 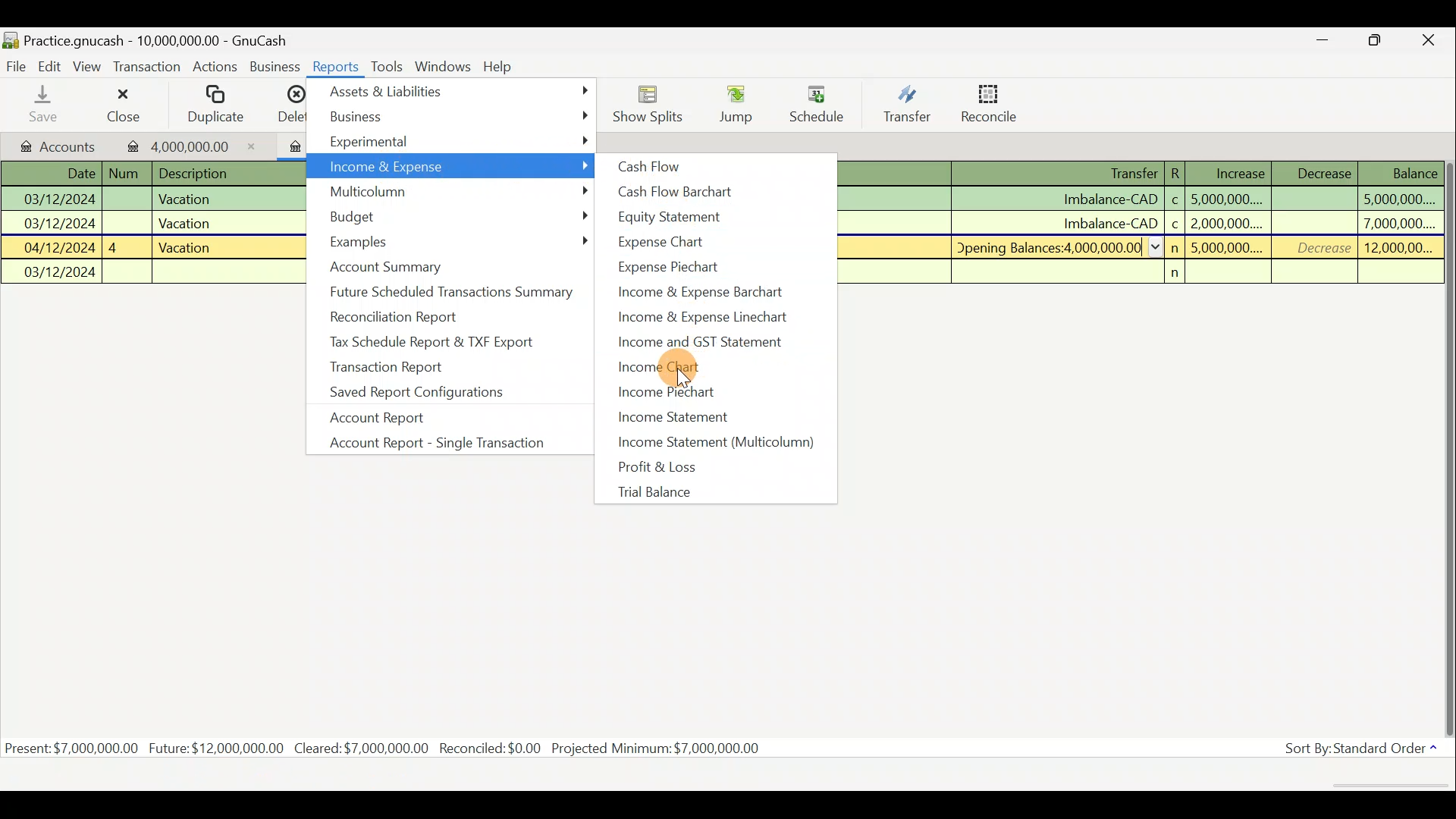 What do you see at coordinates (453, 166) in the screenshot?
I see `Income & Expense` at bounding box center [453, 166].